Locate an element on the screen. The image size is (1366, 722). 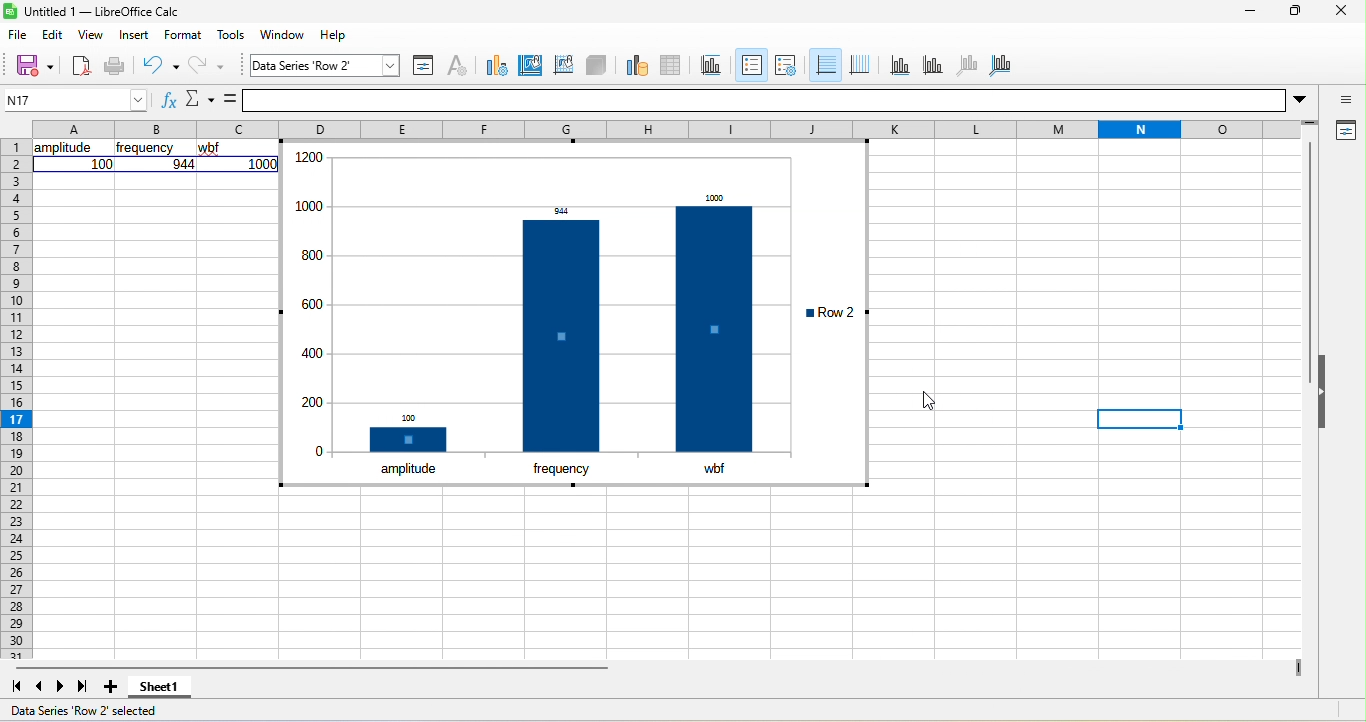
chart area is located at coordinates (326, 65).